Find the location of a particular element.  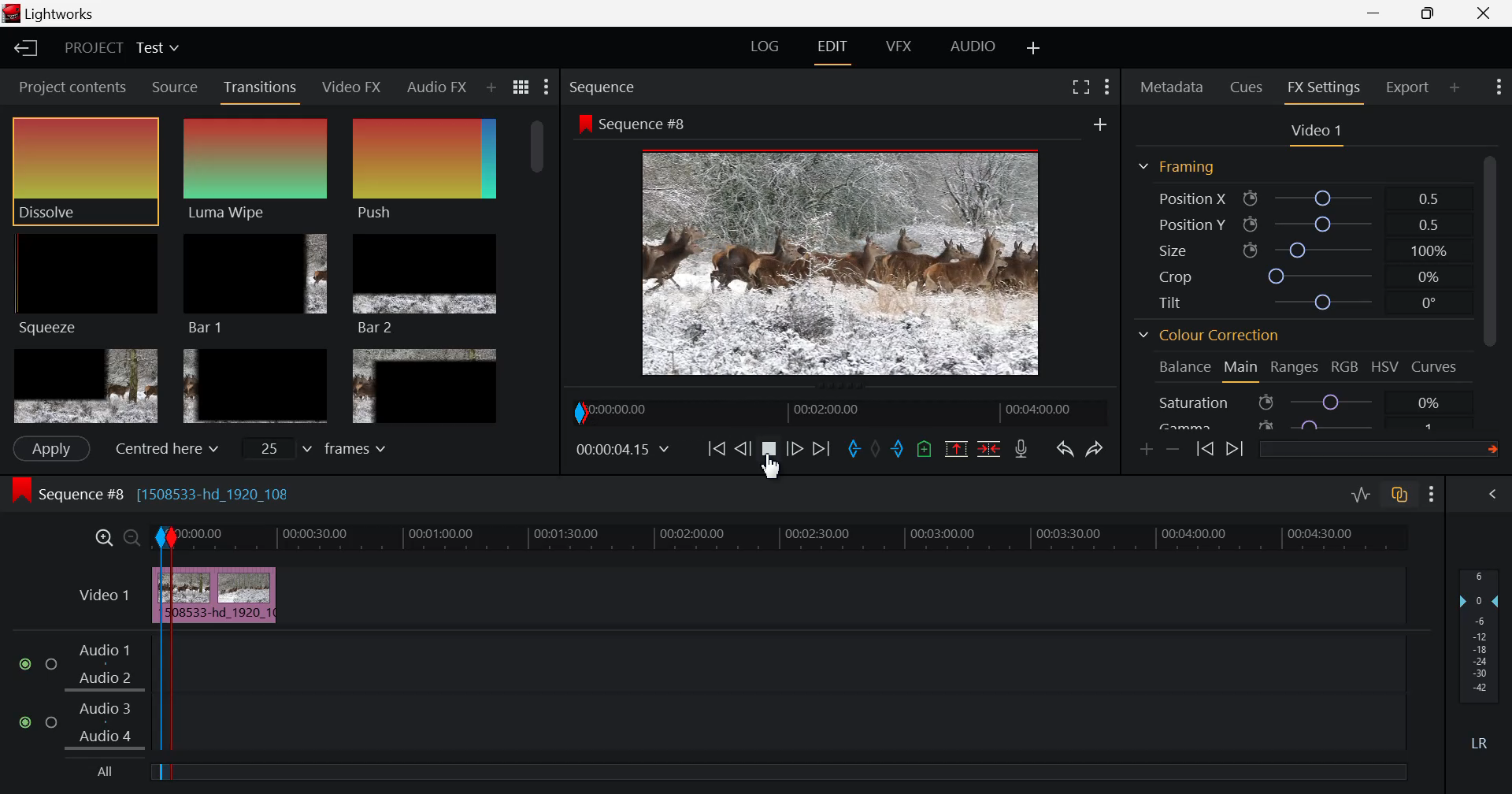

Export is located at coordinates (1409, 87).